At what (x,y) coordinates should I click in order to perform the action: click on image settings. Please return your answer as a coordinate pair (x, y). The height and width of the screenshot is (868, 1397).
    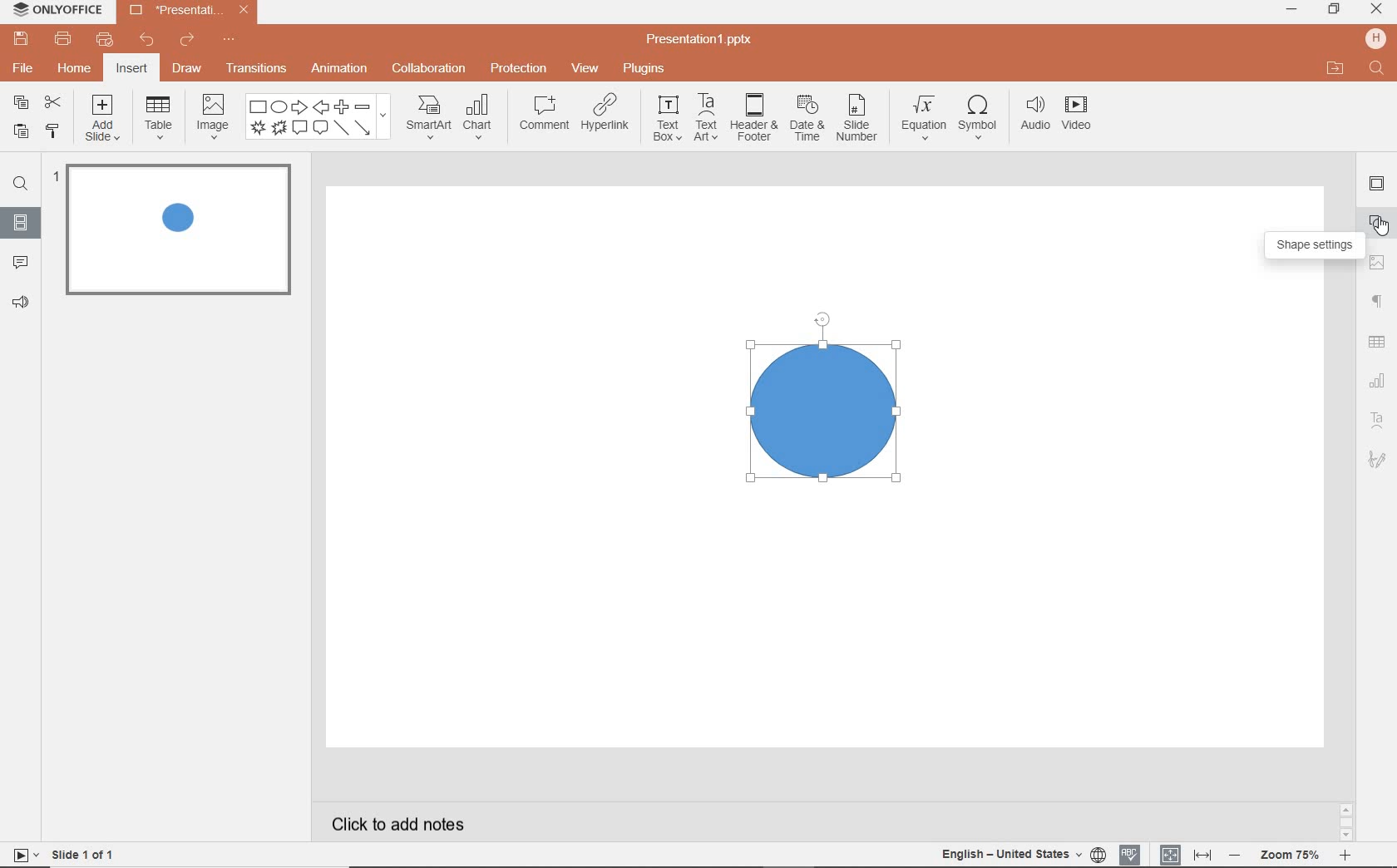
    Looking at the image, I should click on (1380, 261).